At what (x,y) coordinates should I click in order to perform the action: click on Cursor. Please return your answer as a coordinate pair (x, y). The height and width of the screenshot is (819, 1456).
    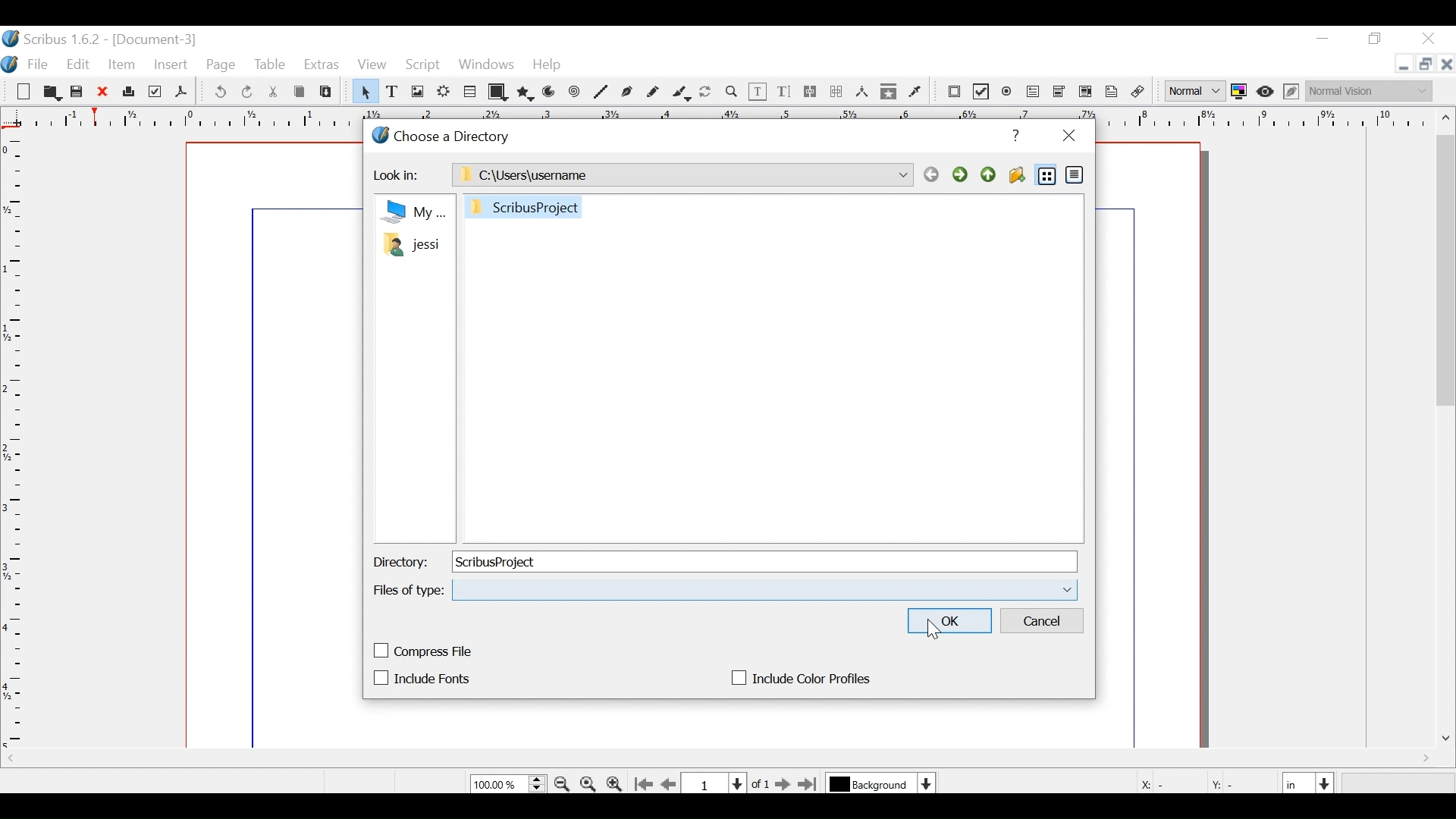
    Looking at the image, I should click on (935, 629).